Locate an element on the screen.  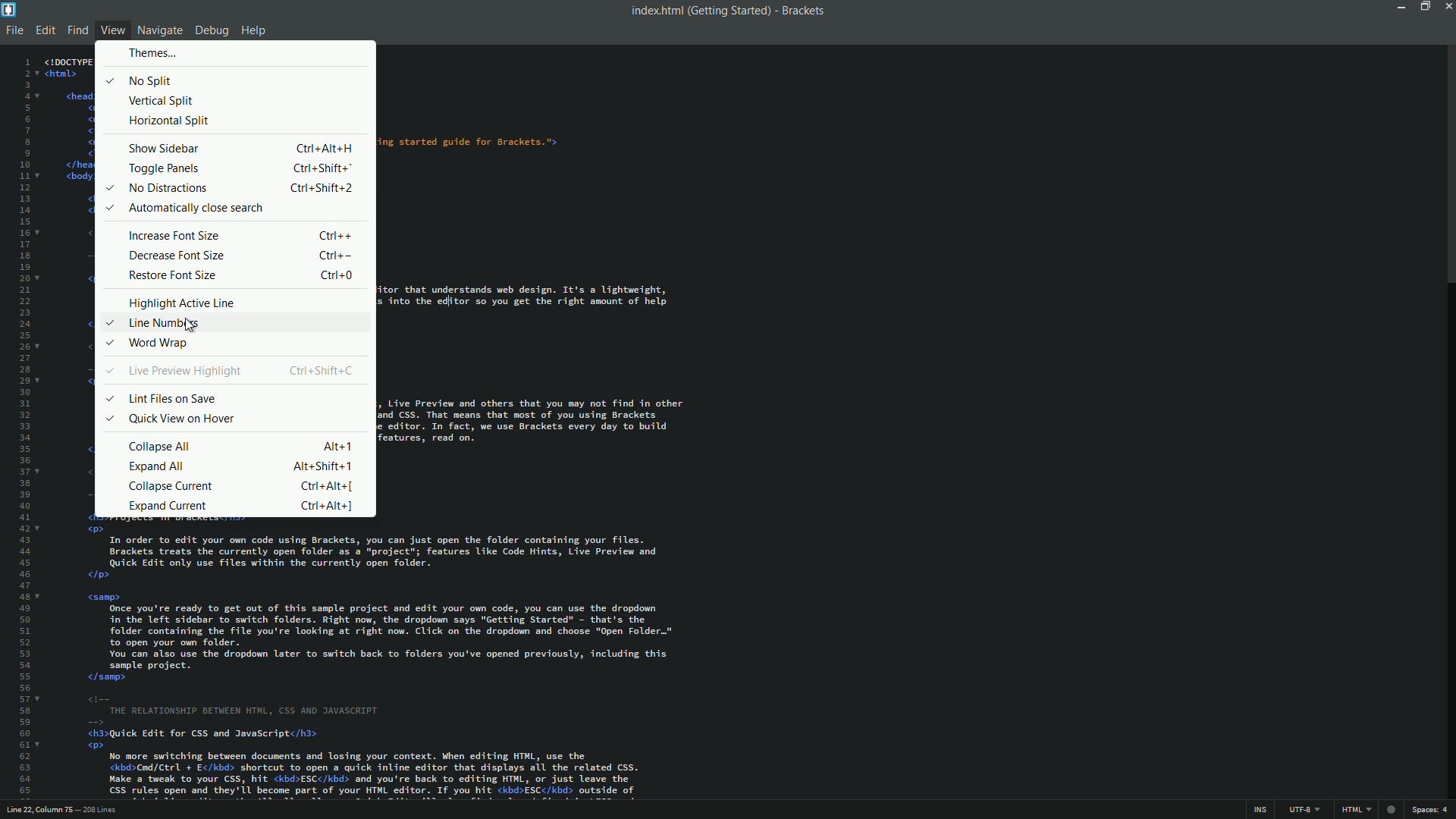
view is located at coordinates (112, 30).